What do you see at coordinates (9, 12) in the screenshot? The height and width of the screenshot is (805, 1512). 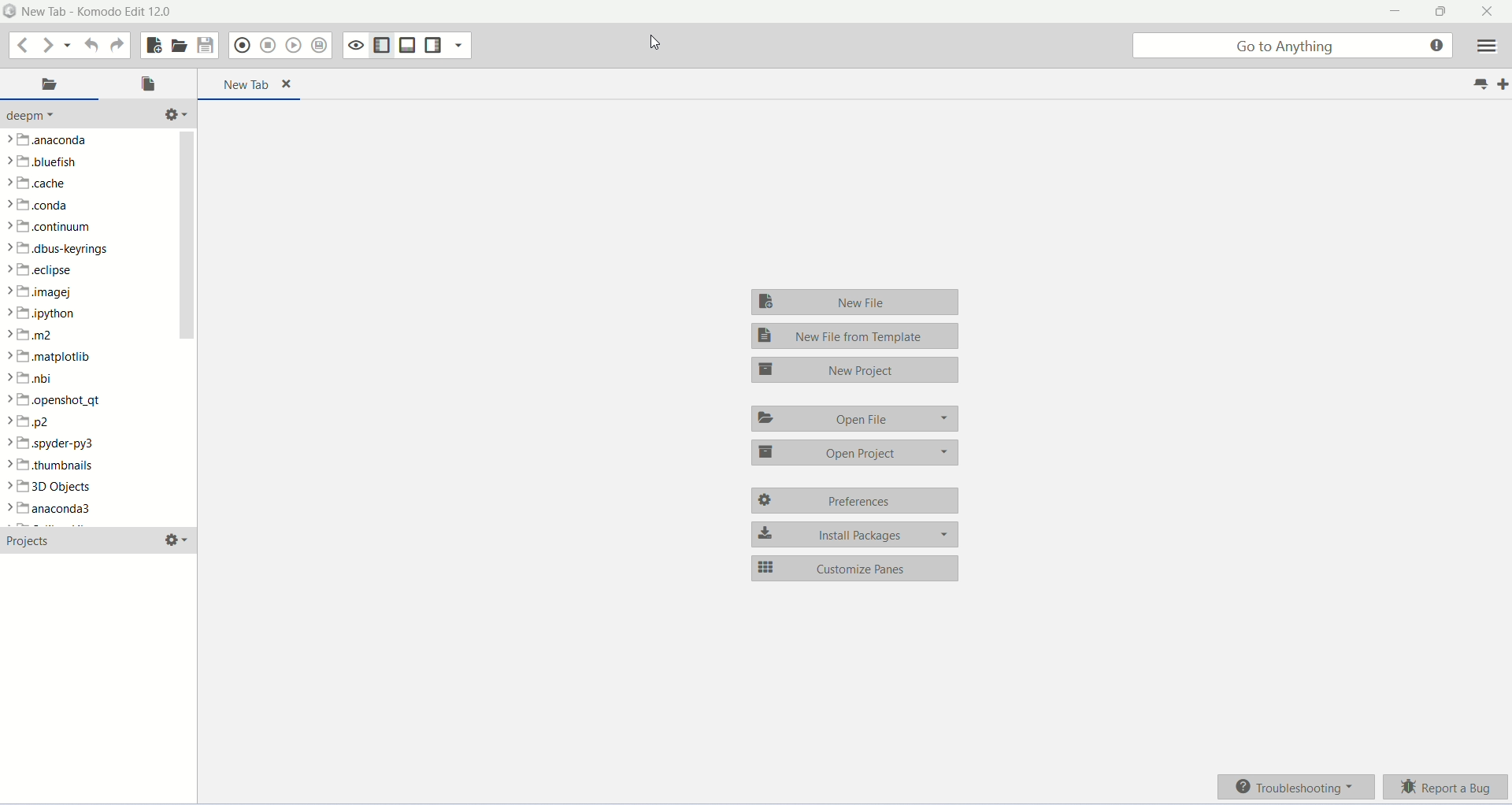 I see `logo` at bounding box center [9, 12].